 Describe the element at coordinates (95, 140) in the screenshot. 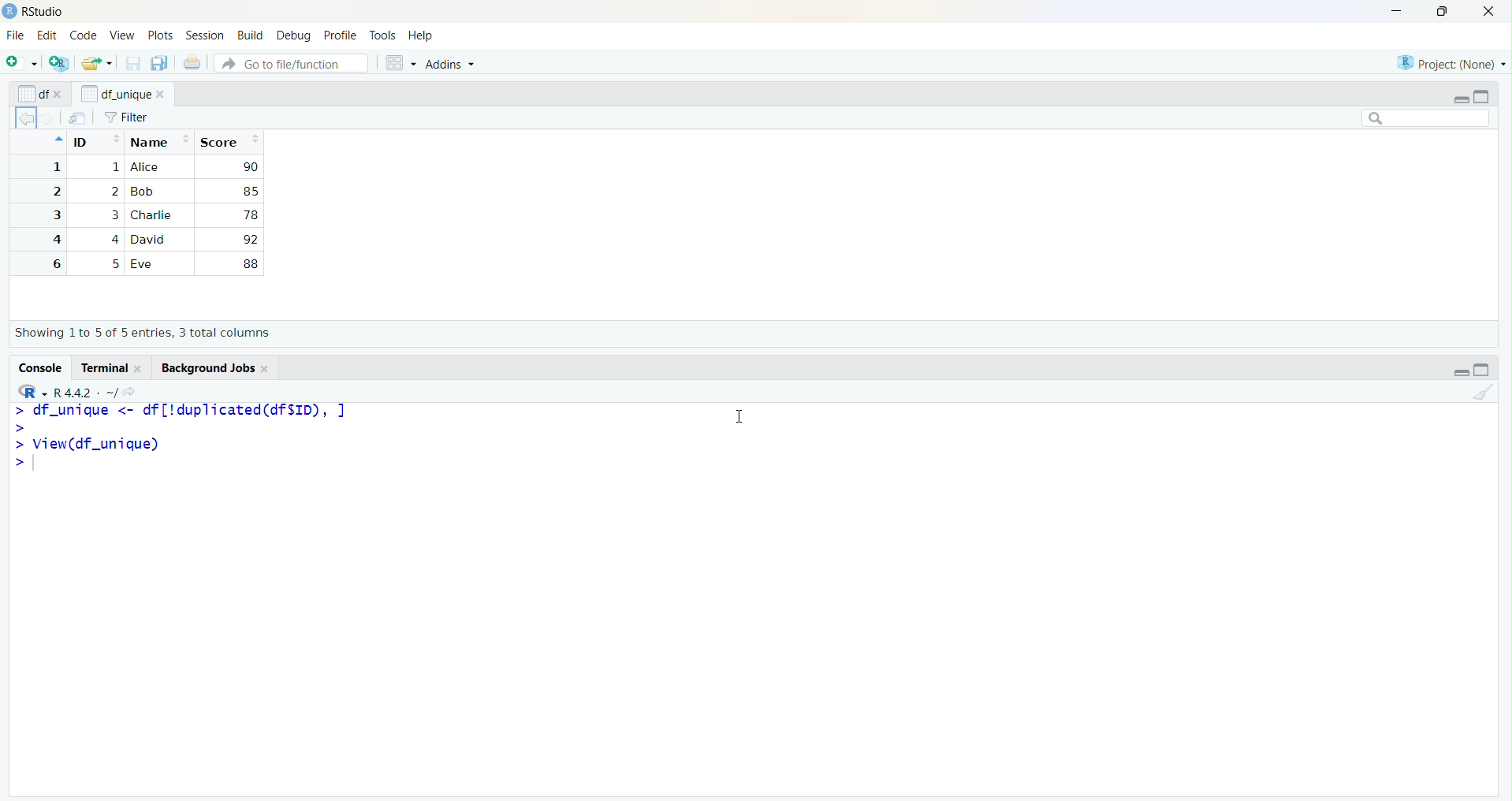

I see `ID` at that location.